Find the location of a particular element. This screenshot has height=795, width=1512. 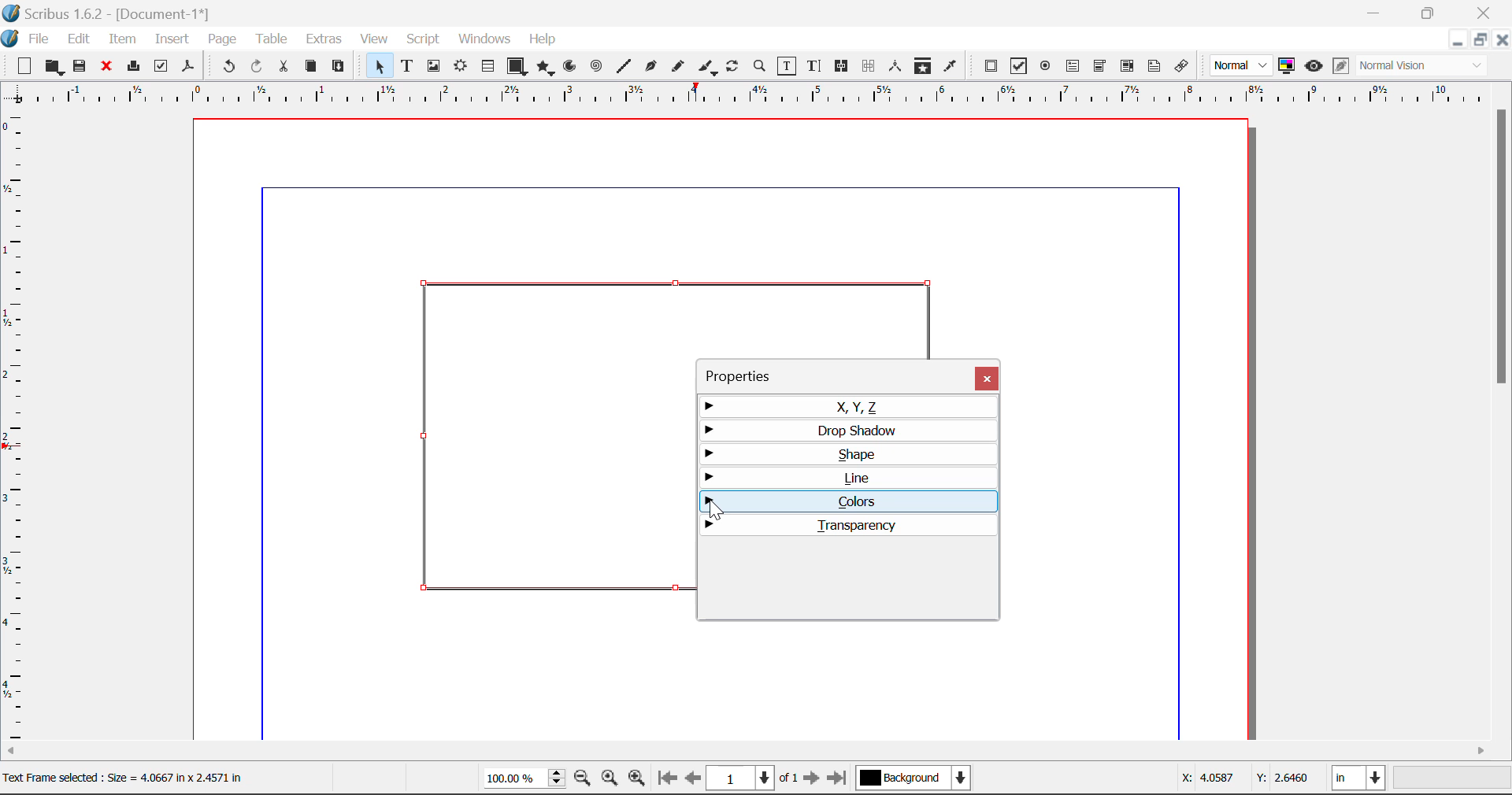

Edit is located at coordinates (79, 38).